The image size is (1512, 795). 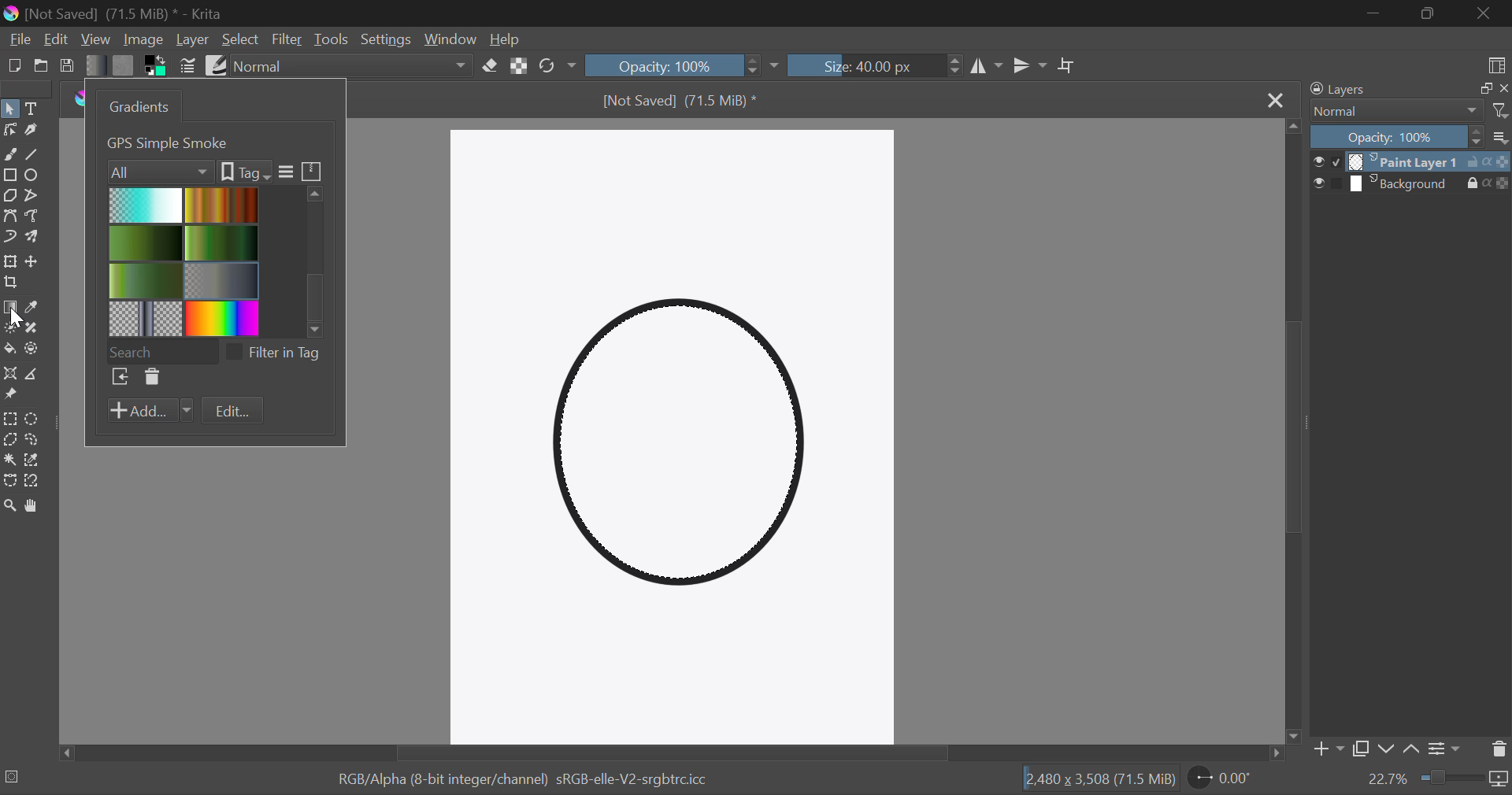 I want to click on RGB/Alpha (8-bit integer/channel) sRGB-elle-V2-srgbtrc.icc, so click(x=526, y=779).